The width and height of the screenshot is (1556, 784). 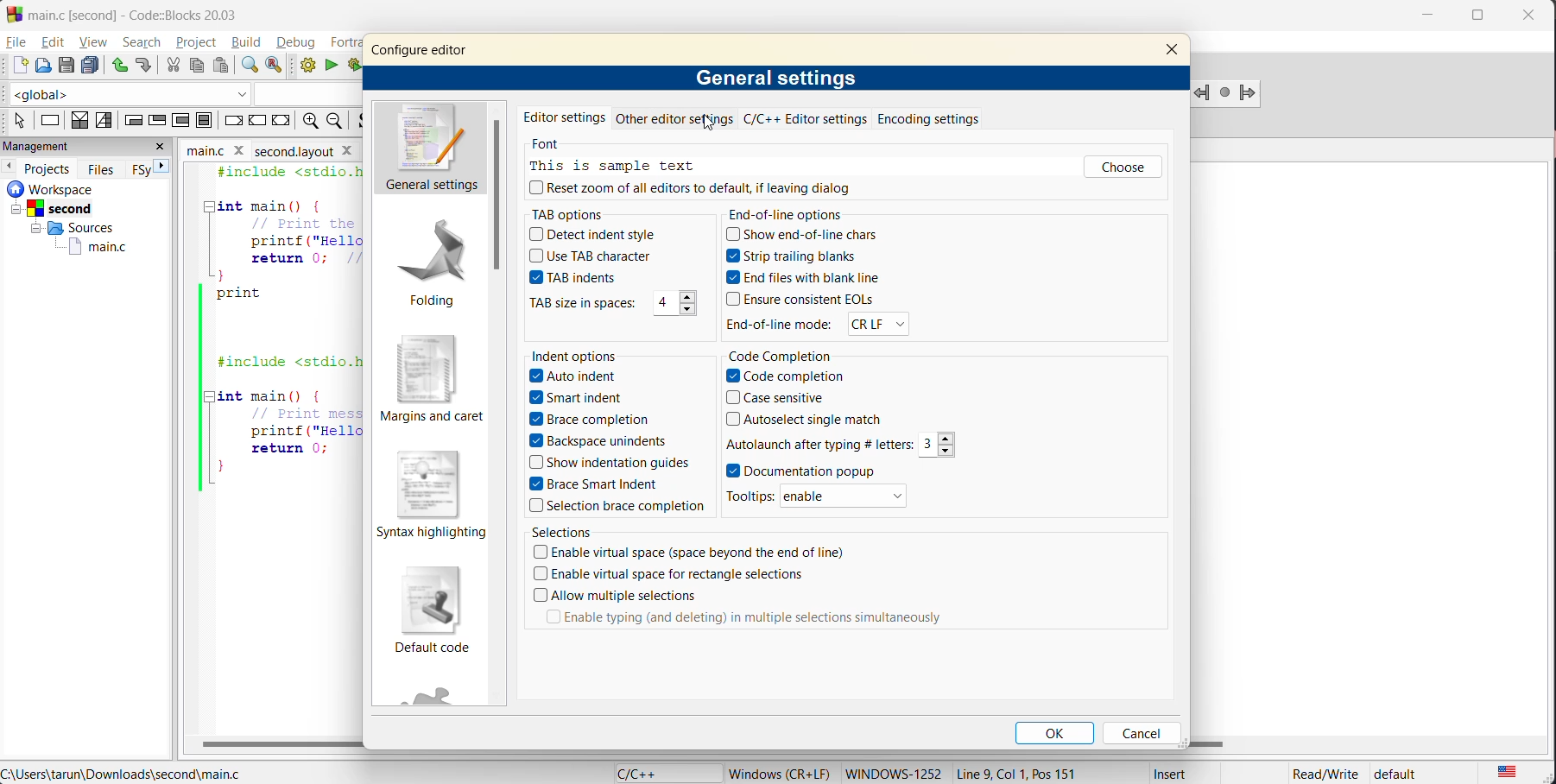 I want to click on Code completion, so click(x=784, y=375).